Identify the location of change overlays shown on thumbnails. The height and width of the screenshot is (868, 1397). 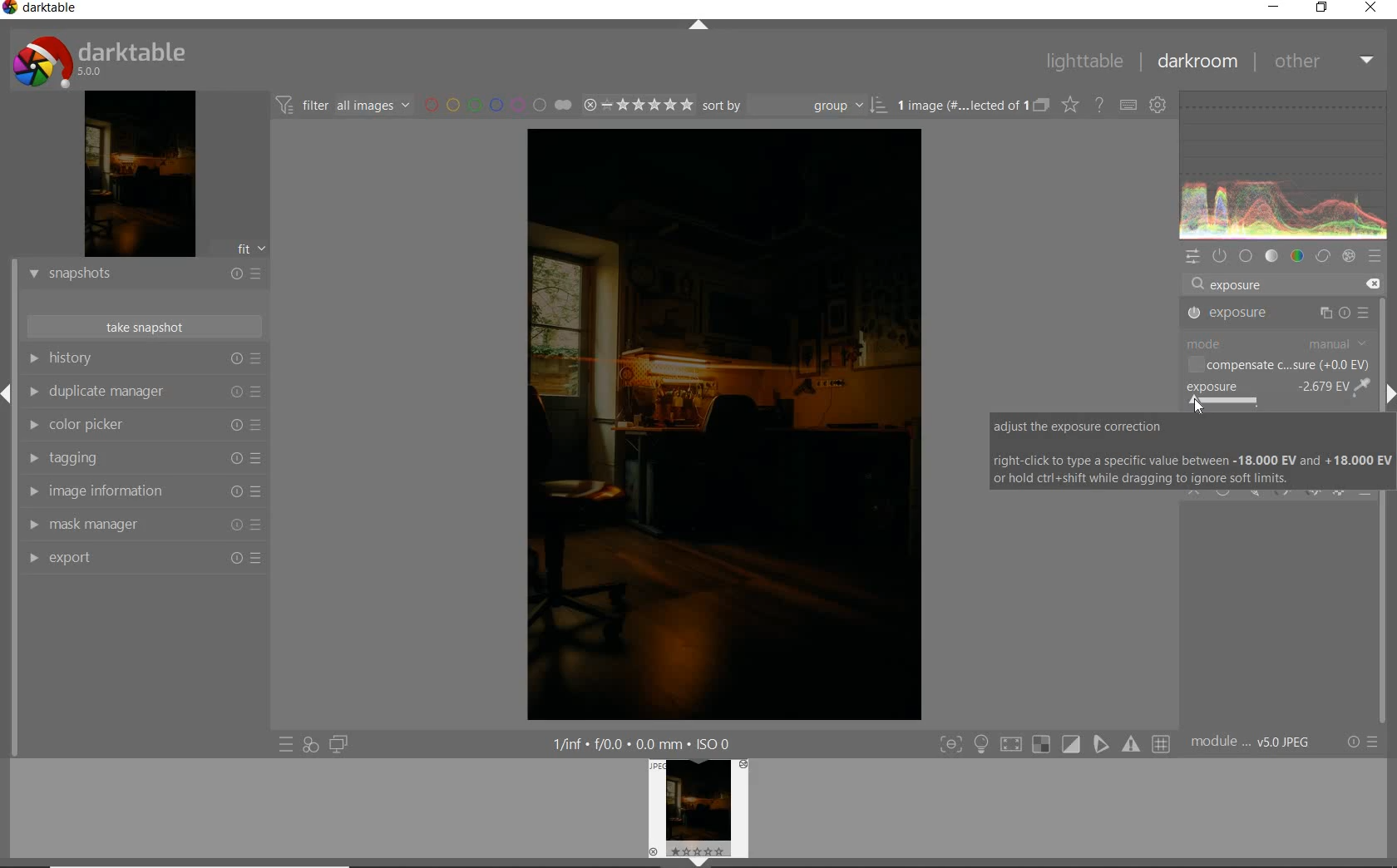
(1069, 106).